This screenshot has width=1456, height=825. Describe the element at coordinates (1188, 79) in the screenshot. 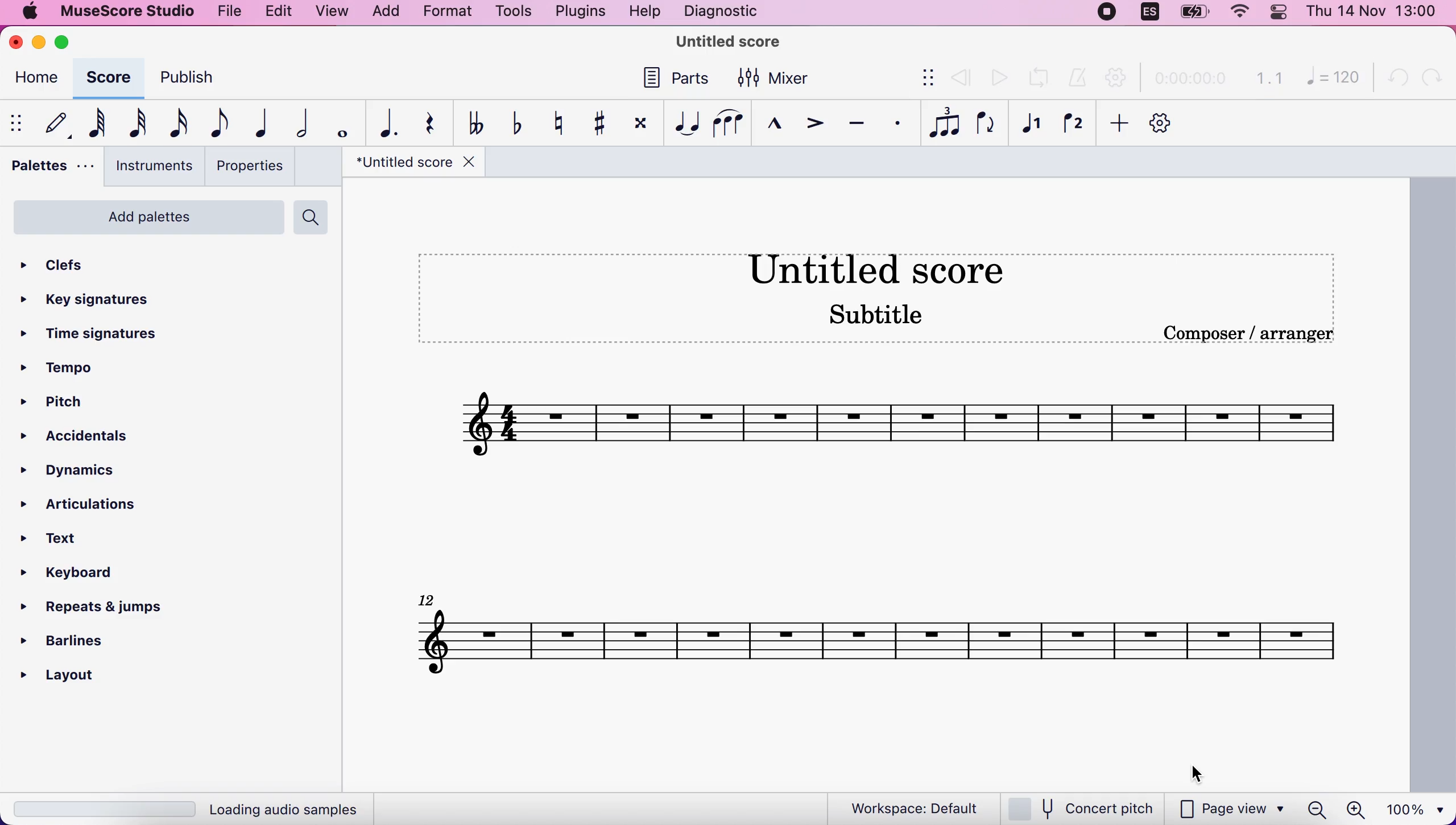

I see `0.00:00.0` at that location.